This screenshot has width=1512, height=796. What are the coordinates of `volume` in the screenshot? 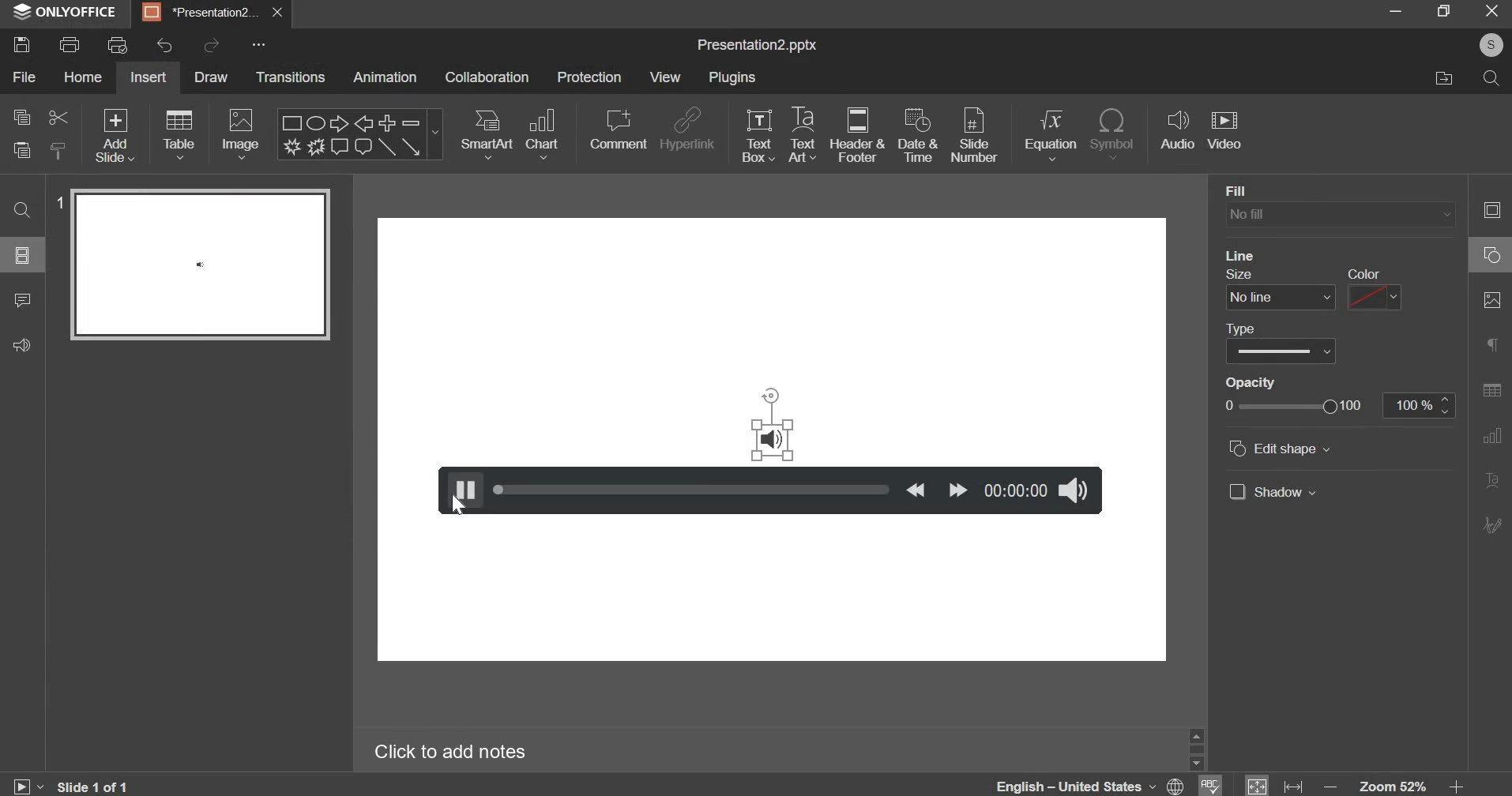 It's located at (1077, 490).